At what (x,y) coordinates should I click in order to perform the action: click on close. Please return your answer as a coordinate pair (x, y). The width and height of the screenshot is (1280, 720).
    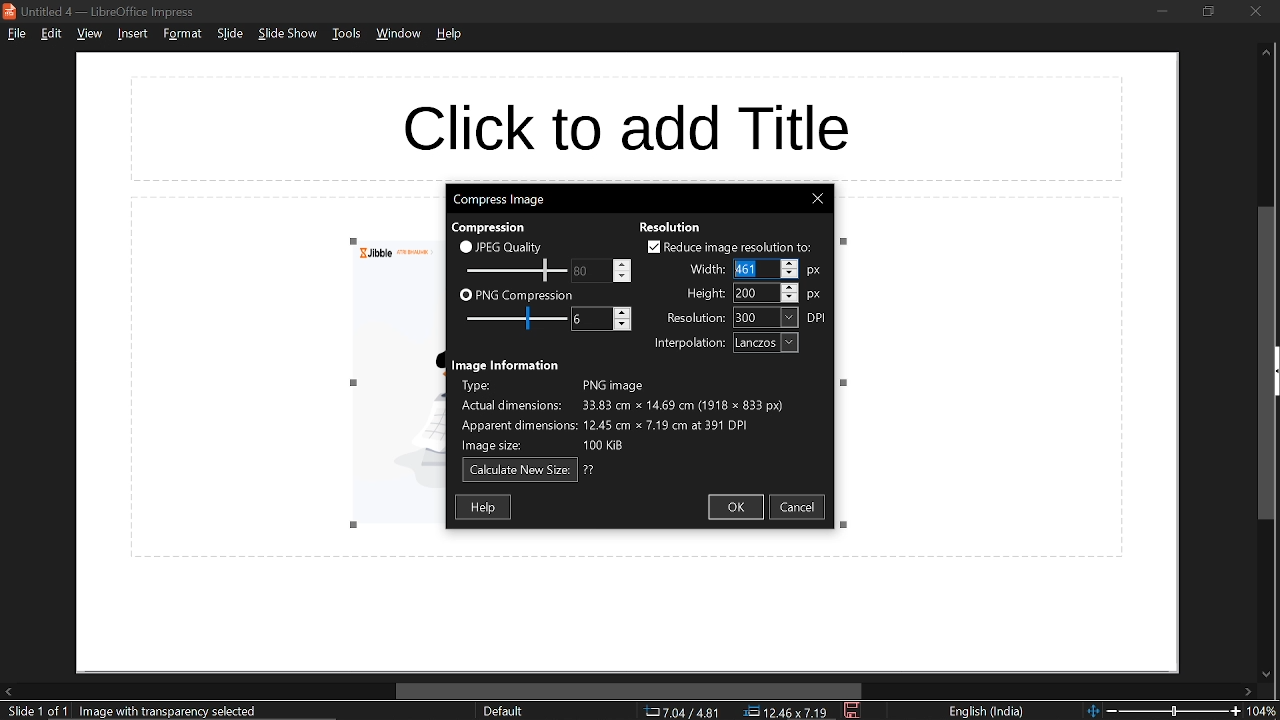
    Looking at the image, I should click on (819, 199).